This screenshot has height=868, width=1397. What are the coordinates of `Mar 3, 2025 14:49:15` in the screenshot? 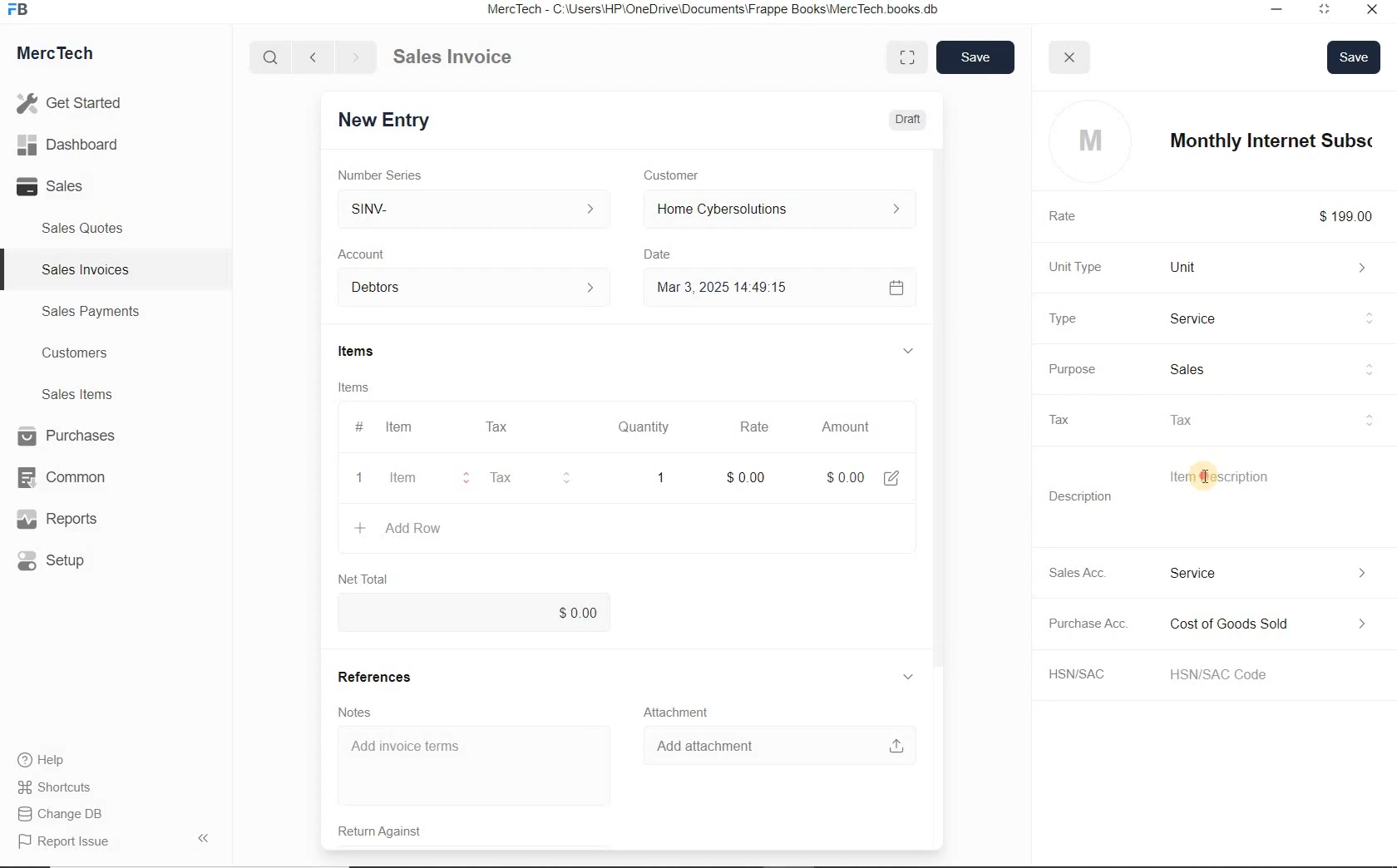 It's located at (719, 289).